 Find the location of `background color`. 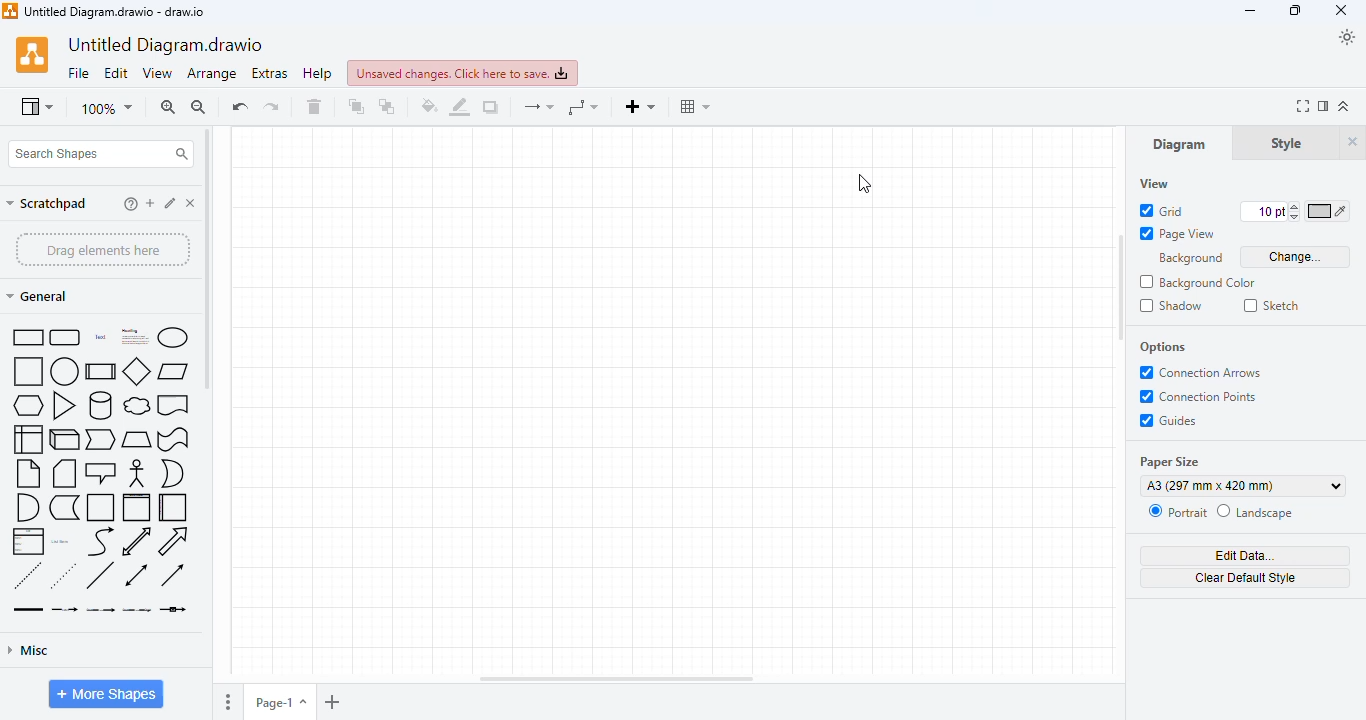

background color is located at coordinates (1198, 282).